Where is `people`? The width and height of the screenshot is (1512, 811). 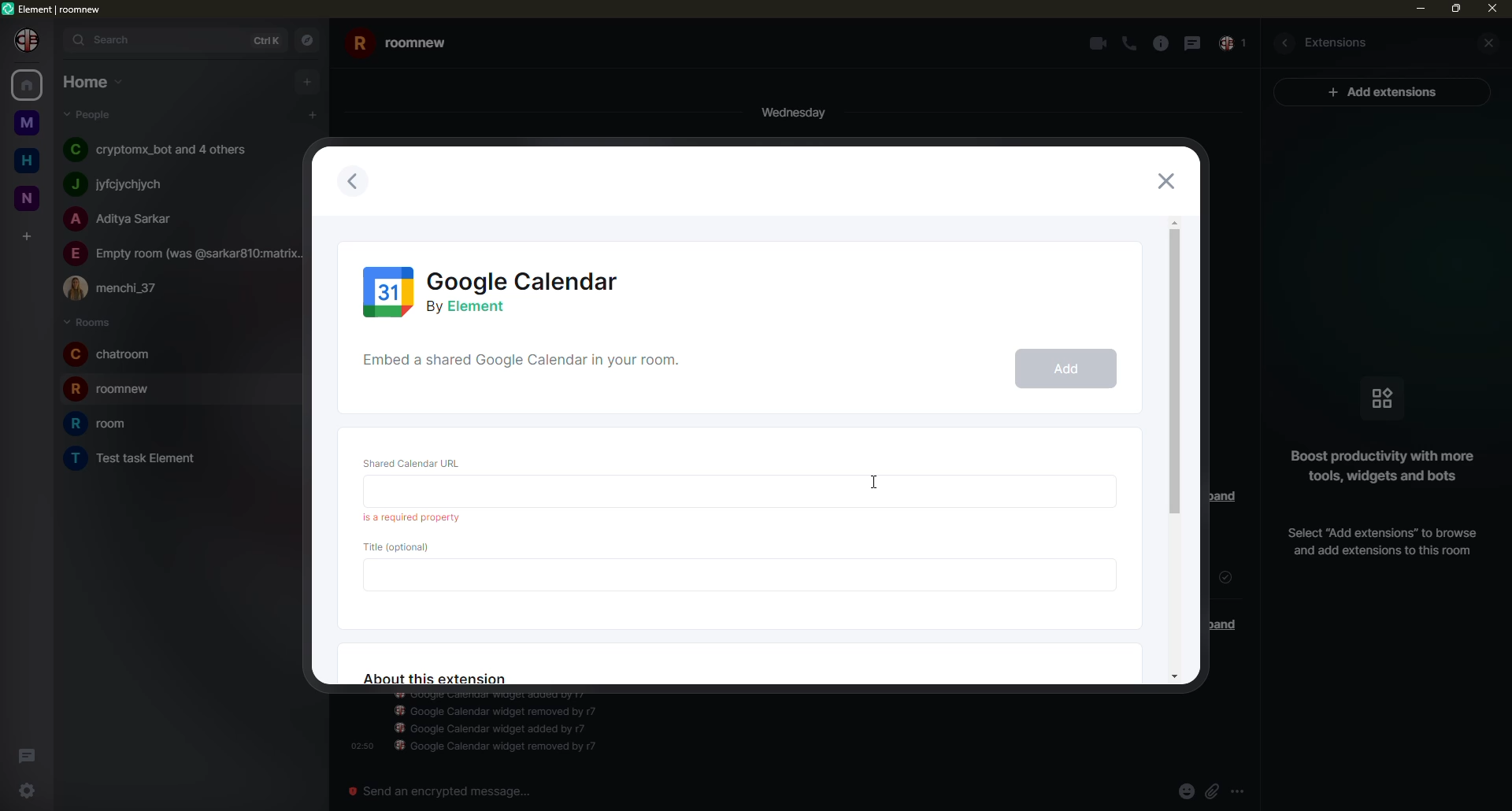
people is located at coordinates (125, 220).